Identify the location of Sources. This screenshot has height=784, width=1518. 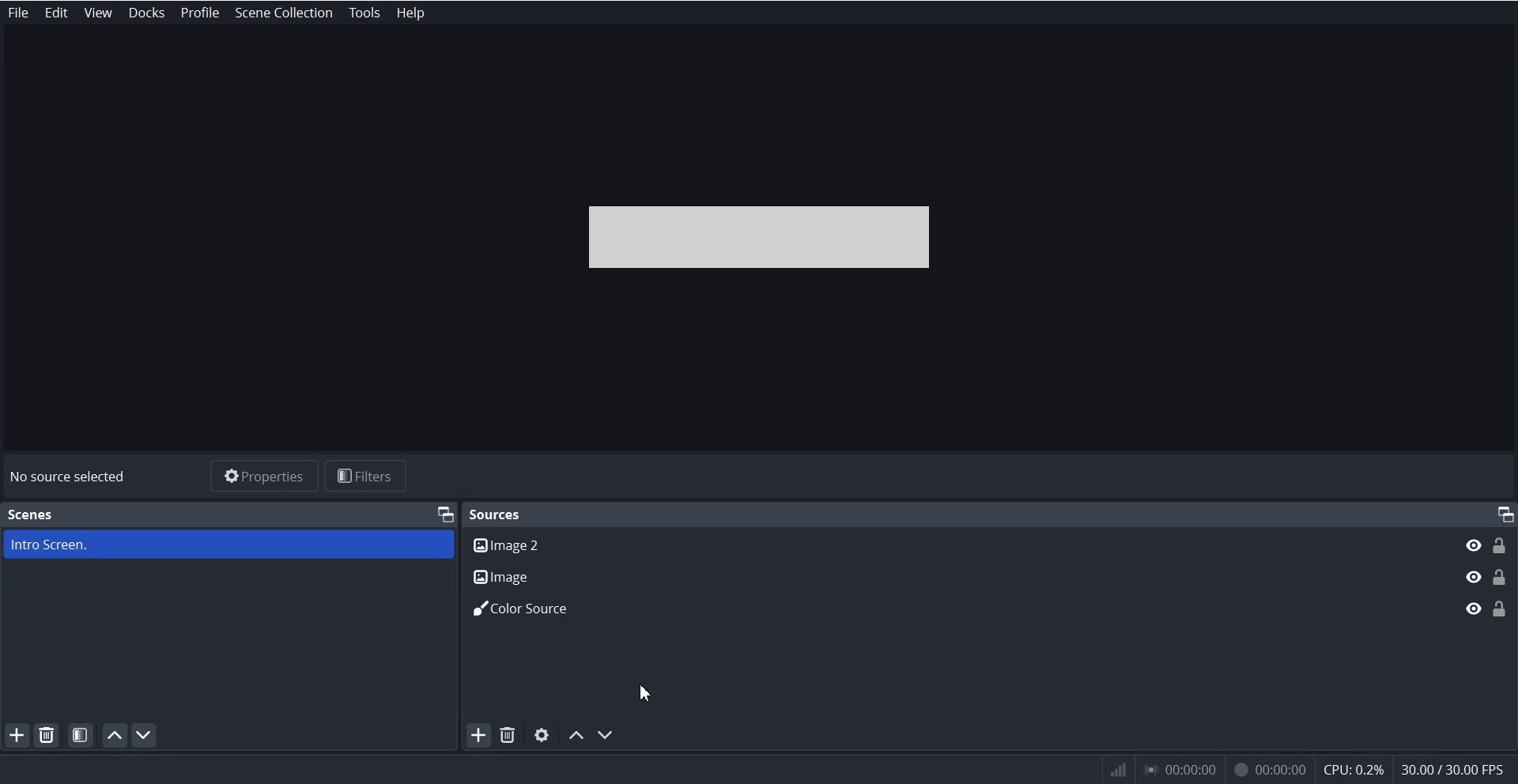
(498, 513).